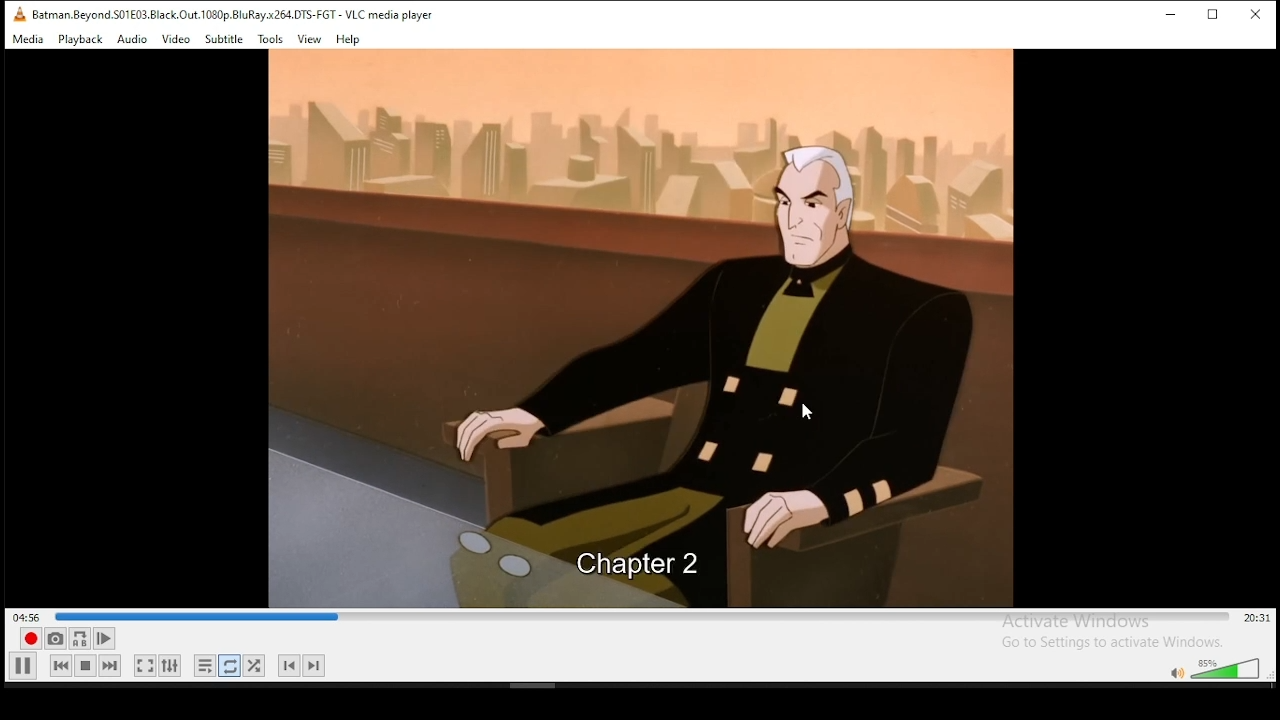 The width and height of the screenshot is (1280, 720). I want to click on Audio, so click(132, 41).